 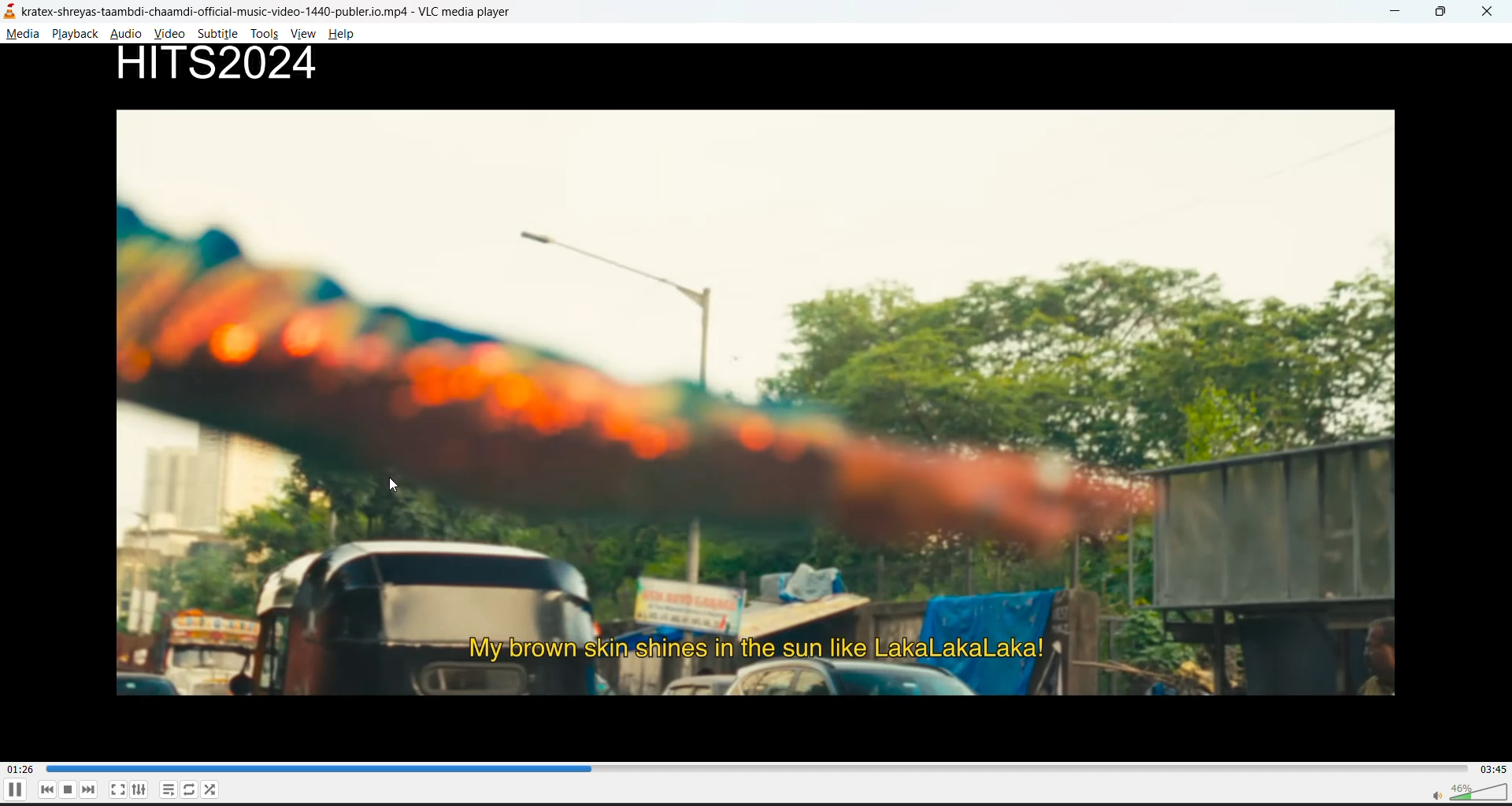 What do you see at coordinates (75, 34) in the screenshot?
I see `playback` at bounding box center [75, 34].